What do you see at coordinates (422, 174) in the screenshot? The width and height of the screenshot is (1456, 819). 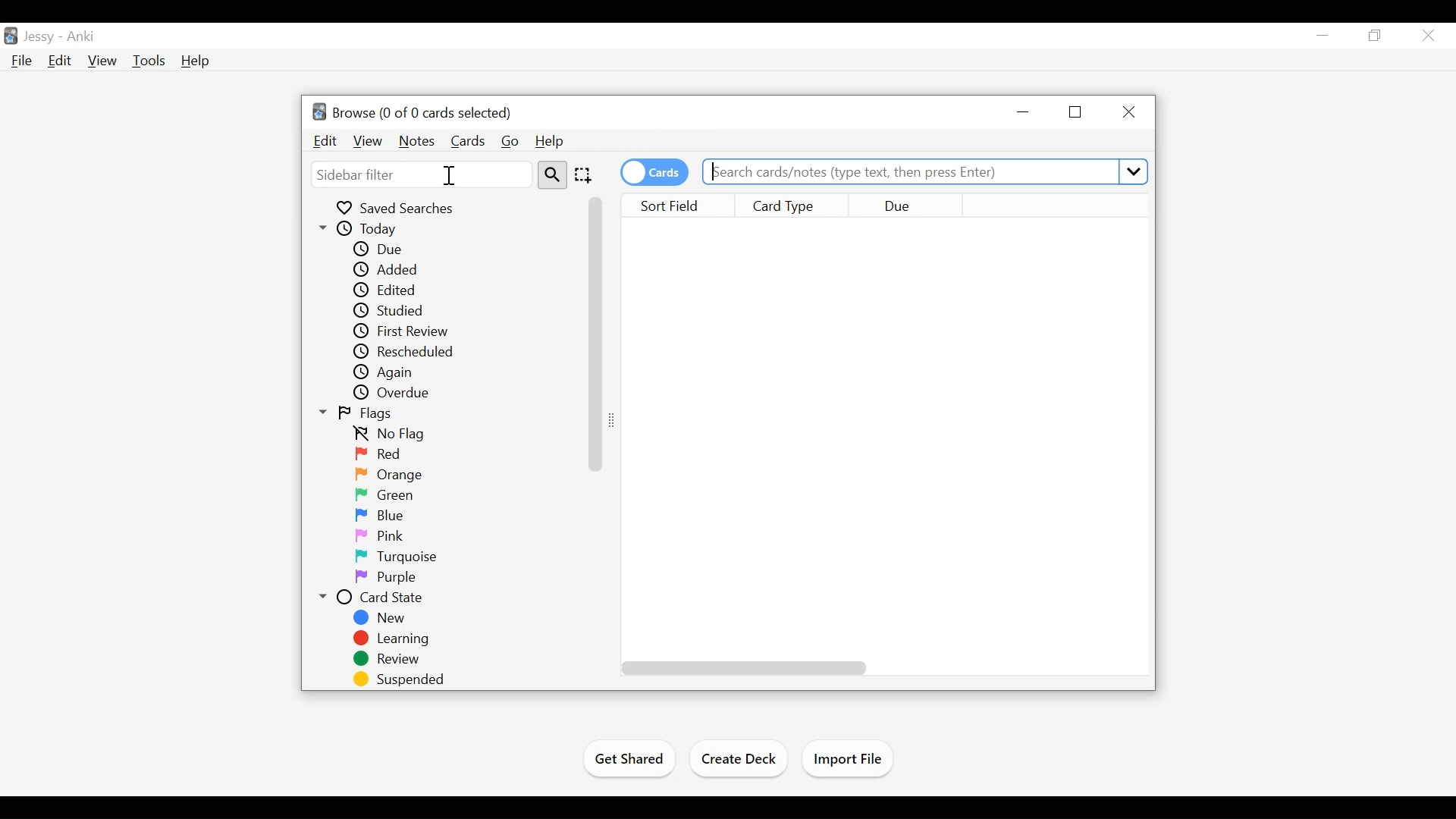 I see `Sidebar Filter` at bounding box center [422, 174].